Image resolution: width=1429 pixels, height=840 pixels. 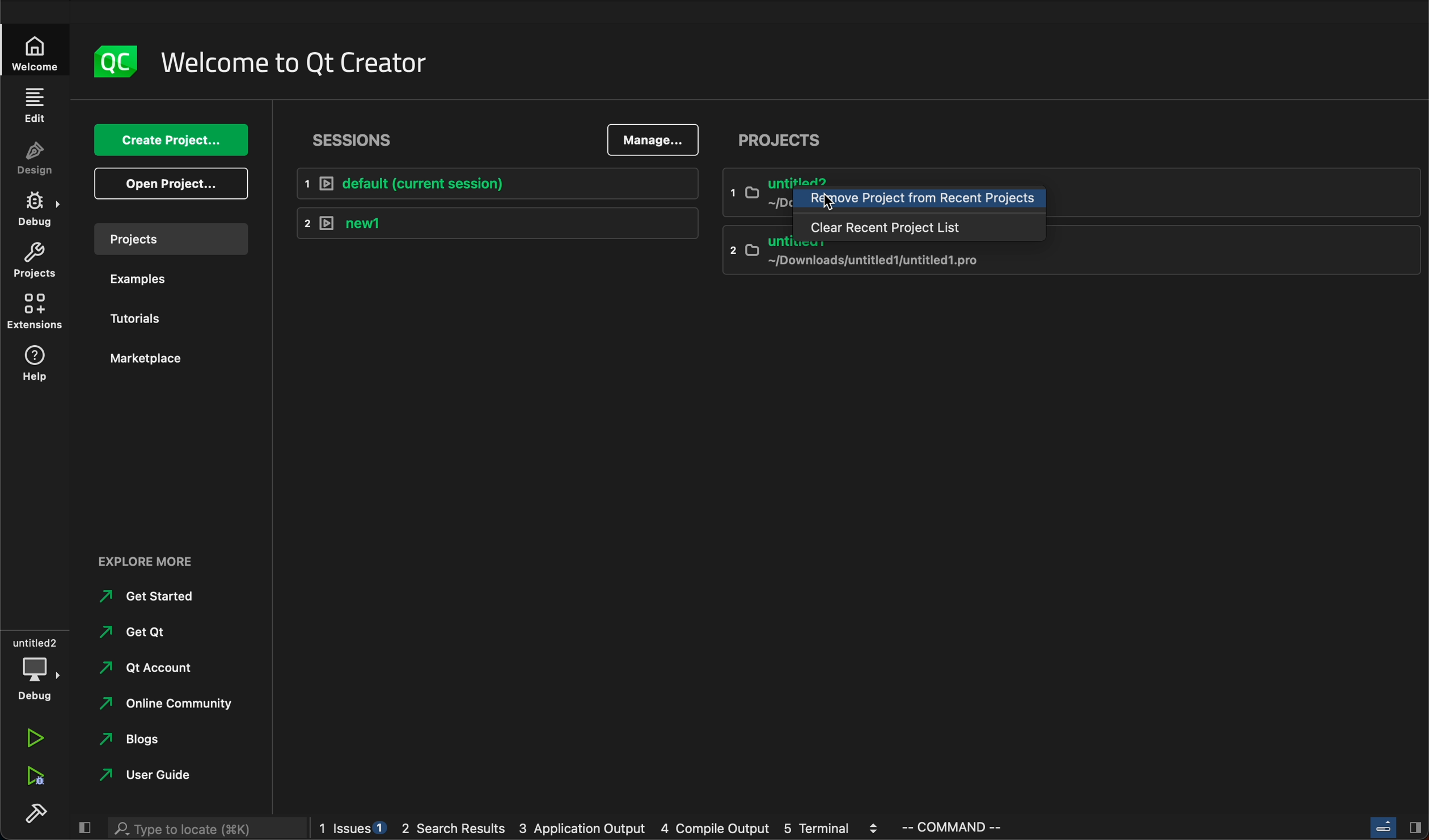 What do you see at coordinates (34, 49) in the screenshot?
I see `welcome` at bounding box center [34, 49].